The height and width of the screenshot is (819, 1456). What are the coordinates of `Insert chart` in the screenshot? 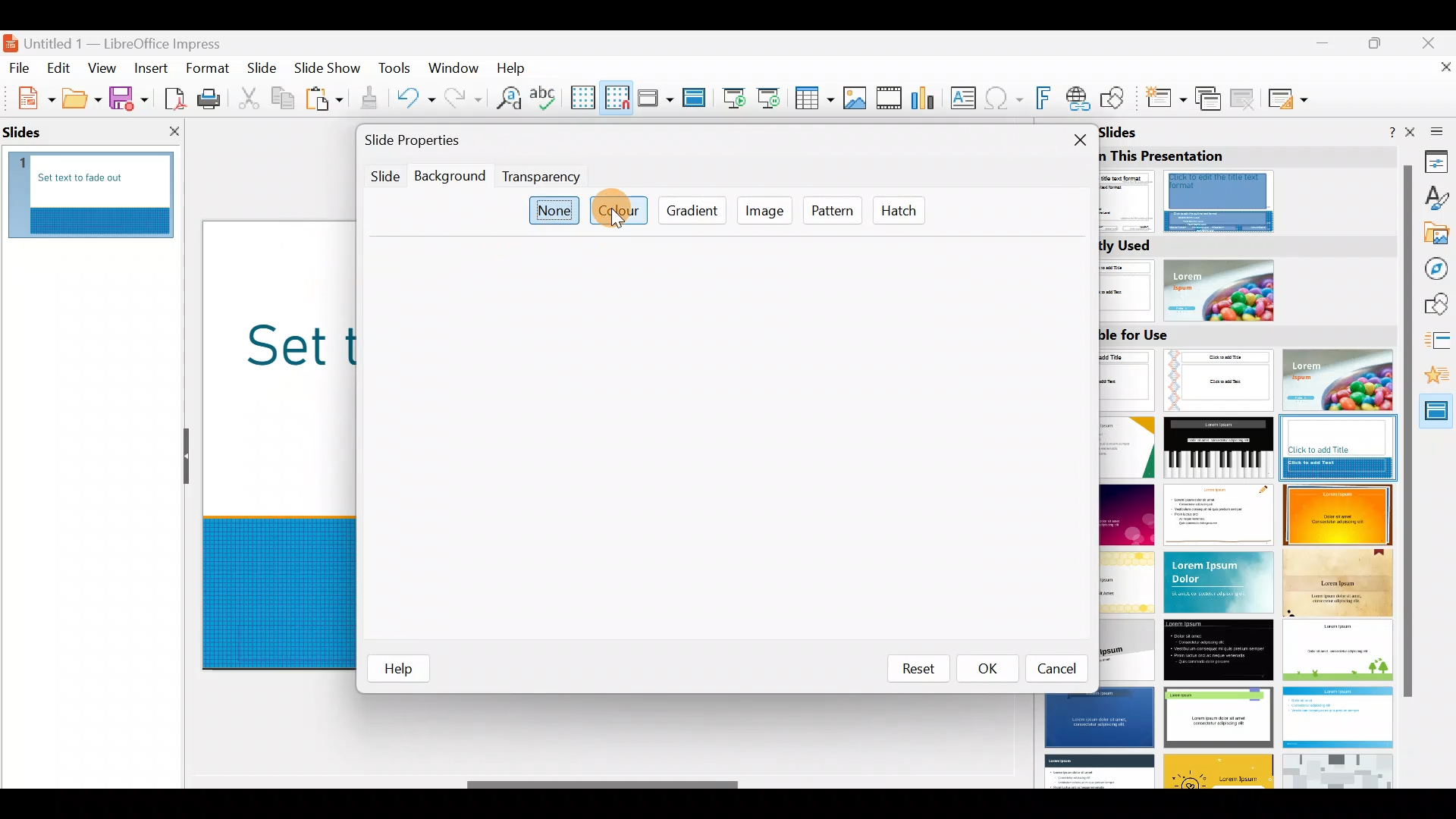 It's located at (927, 99).